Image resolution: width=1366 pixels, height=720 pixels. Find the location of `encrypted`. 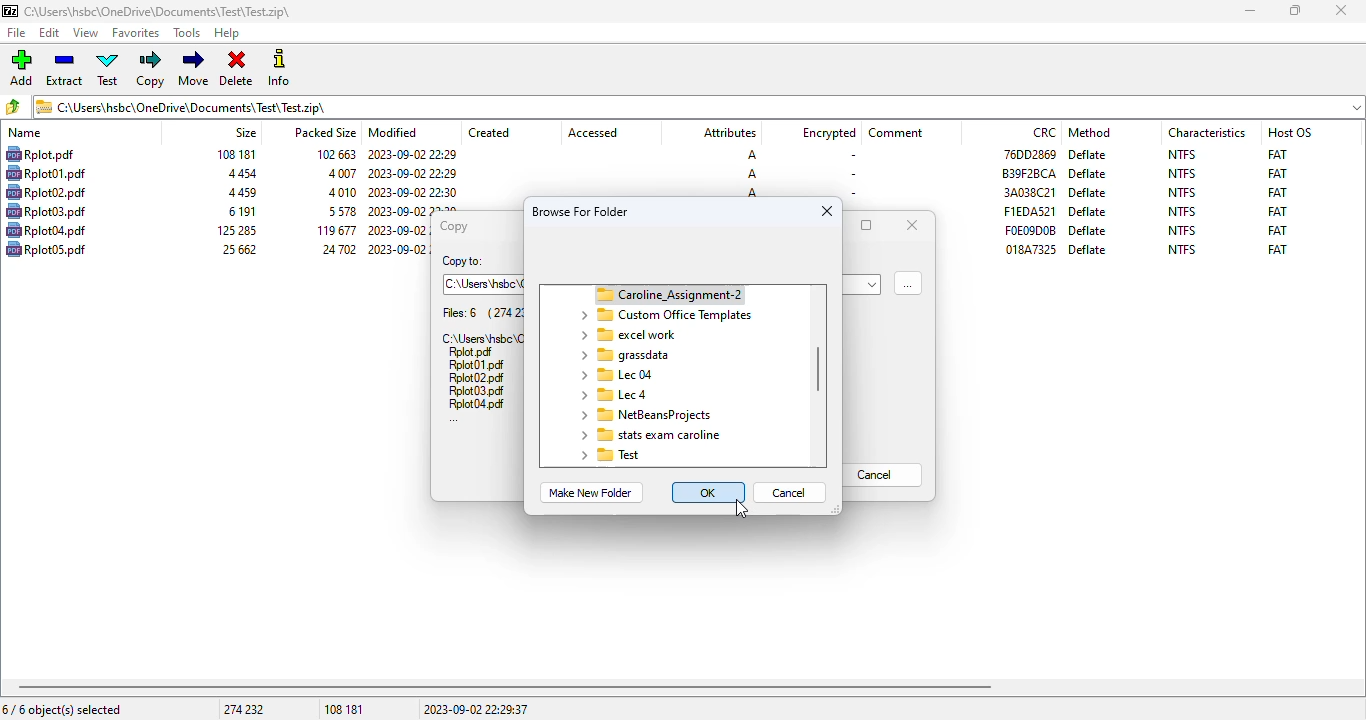

encrypted is located at coordinates (829, 133).